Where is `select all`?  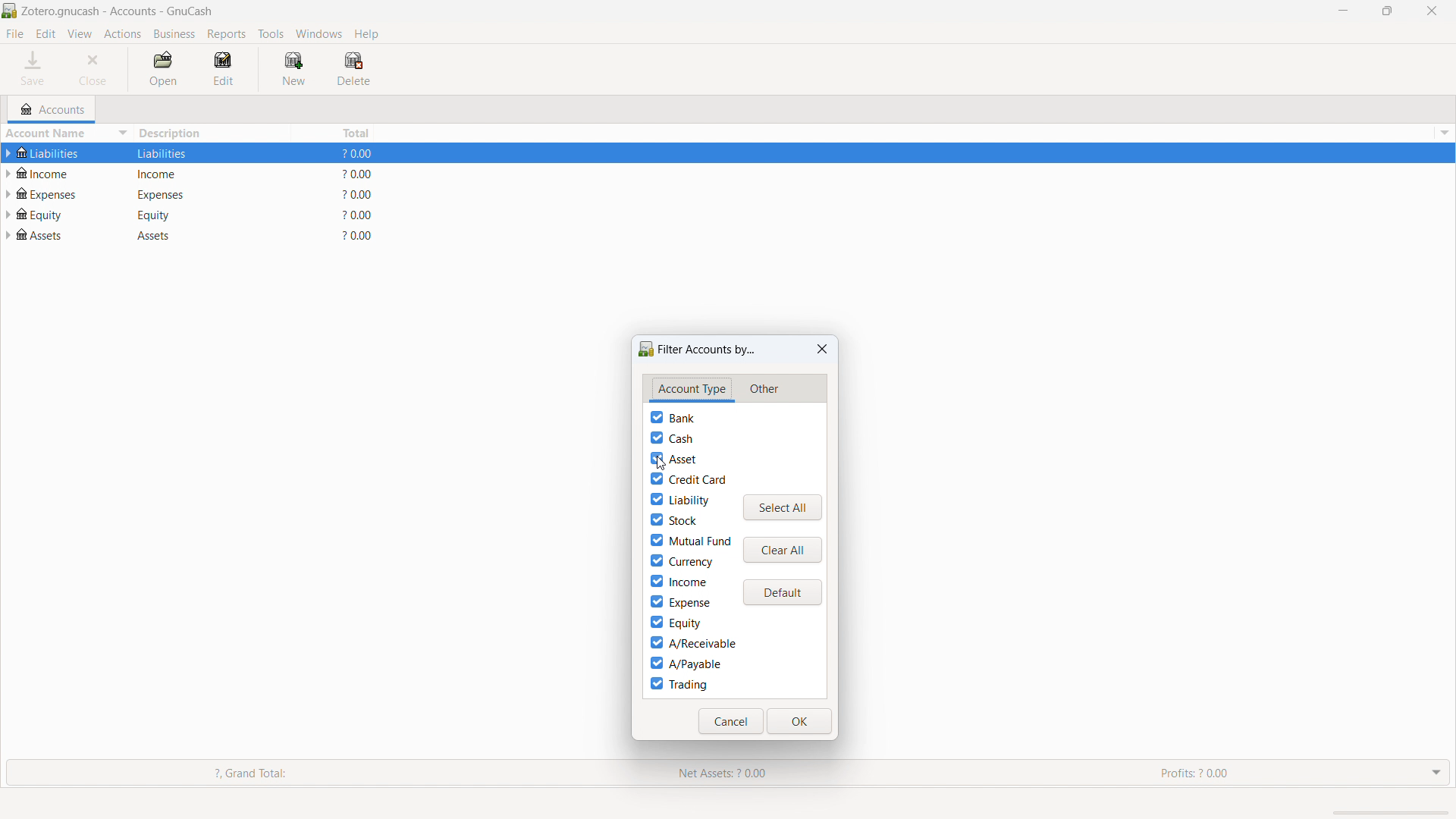
select all is located at coordinates (783, 508).